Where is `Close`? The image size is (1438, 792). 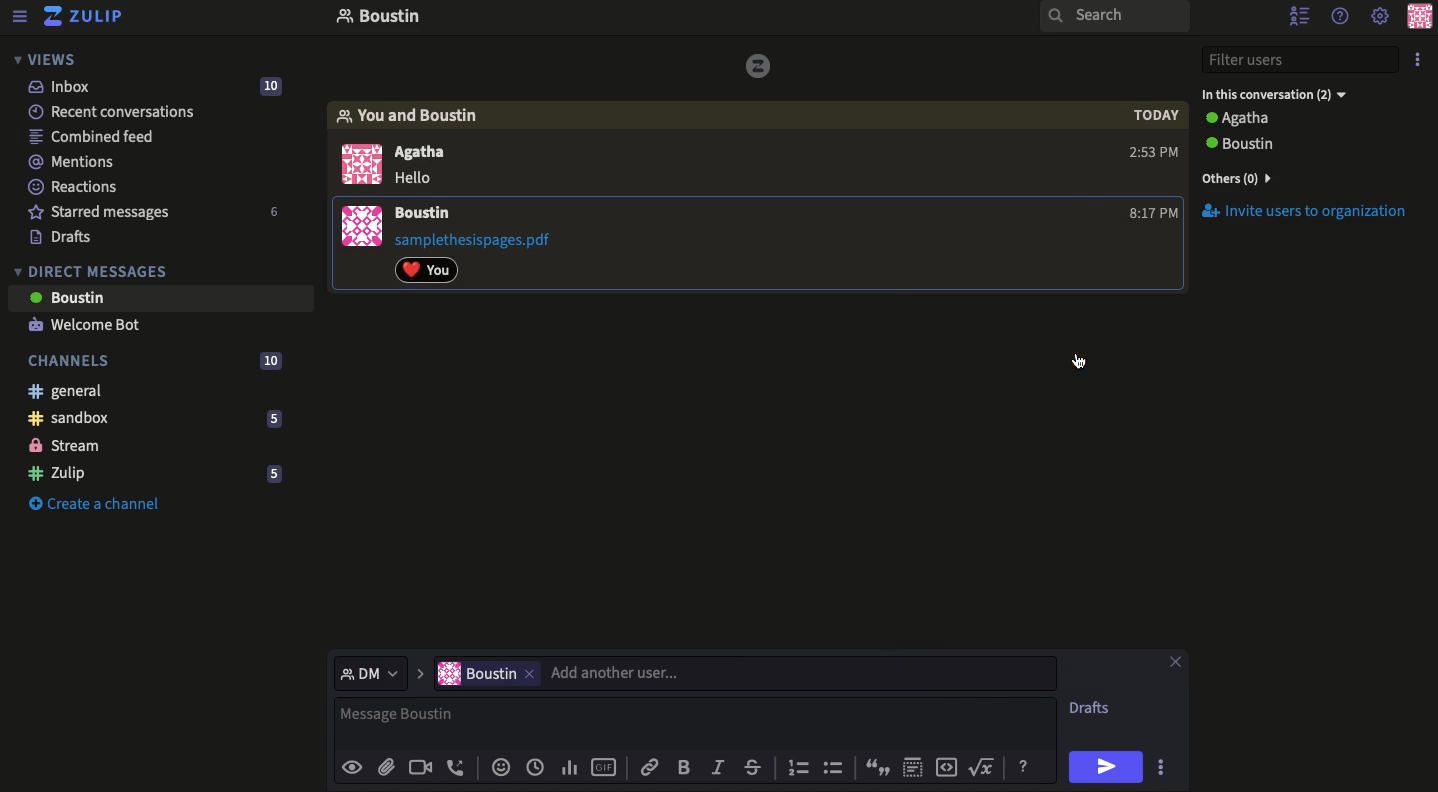
Close is located at coordinates (1174, 659).